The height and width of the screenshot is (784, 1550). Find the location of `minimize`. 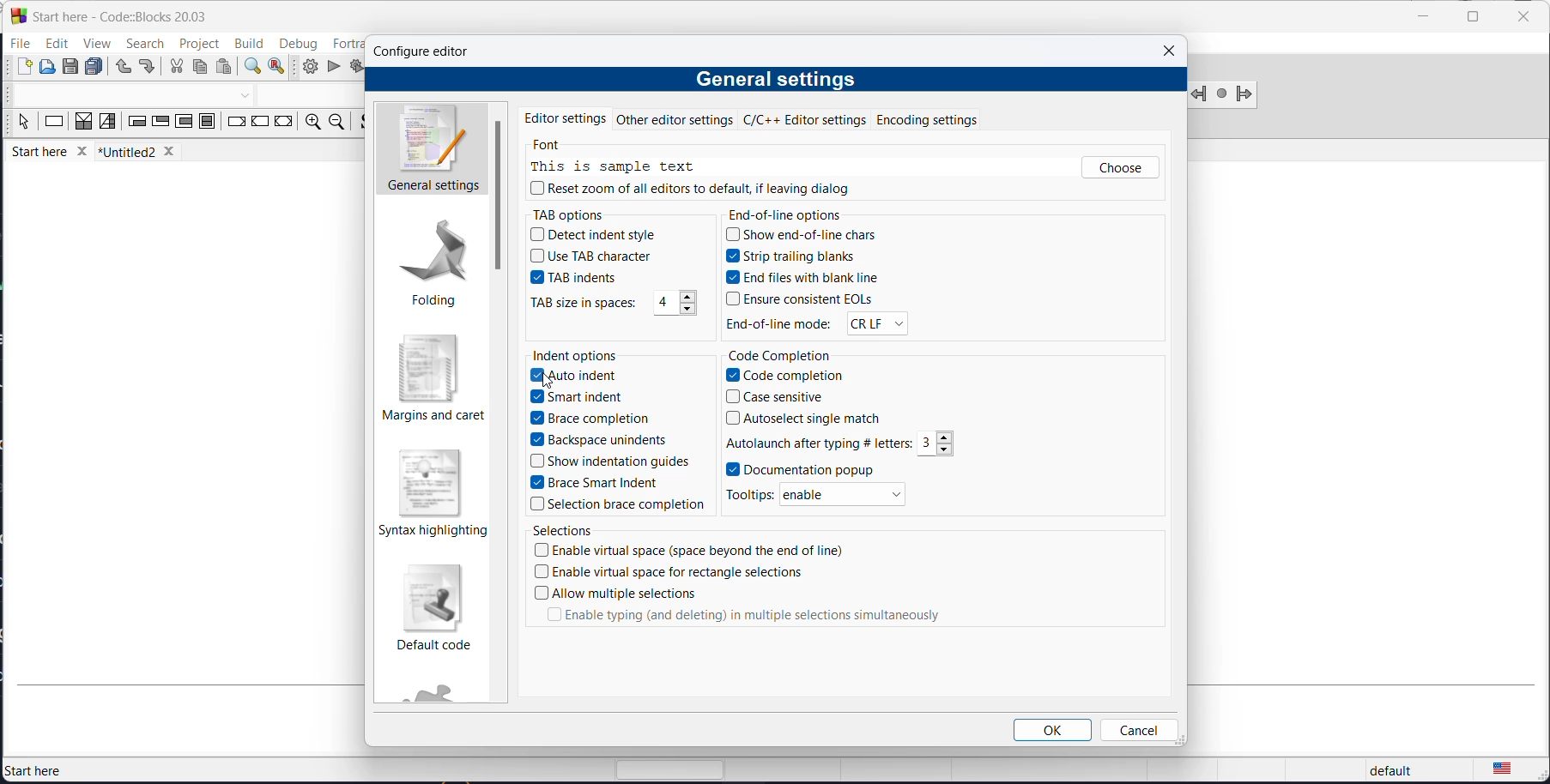

minimize is located at coordinates (1421, 19).